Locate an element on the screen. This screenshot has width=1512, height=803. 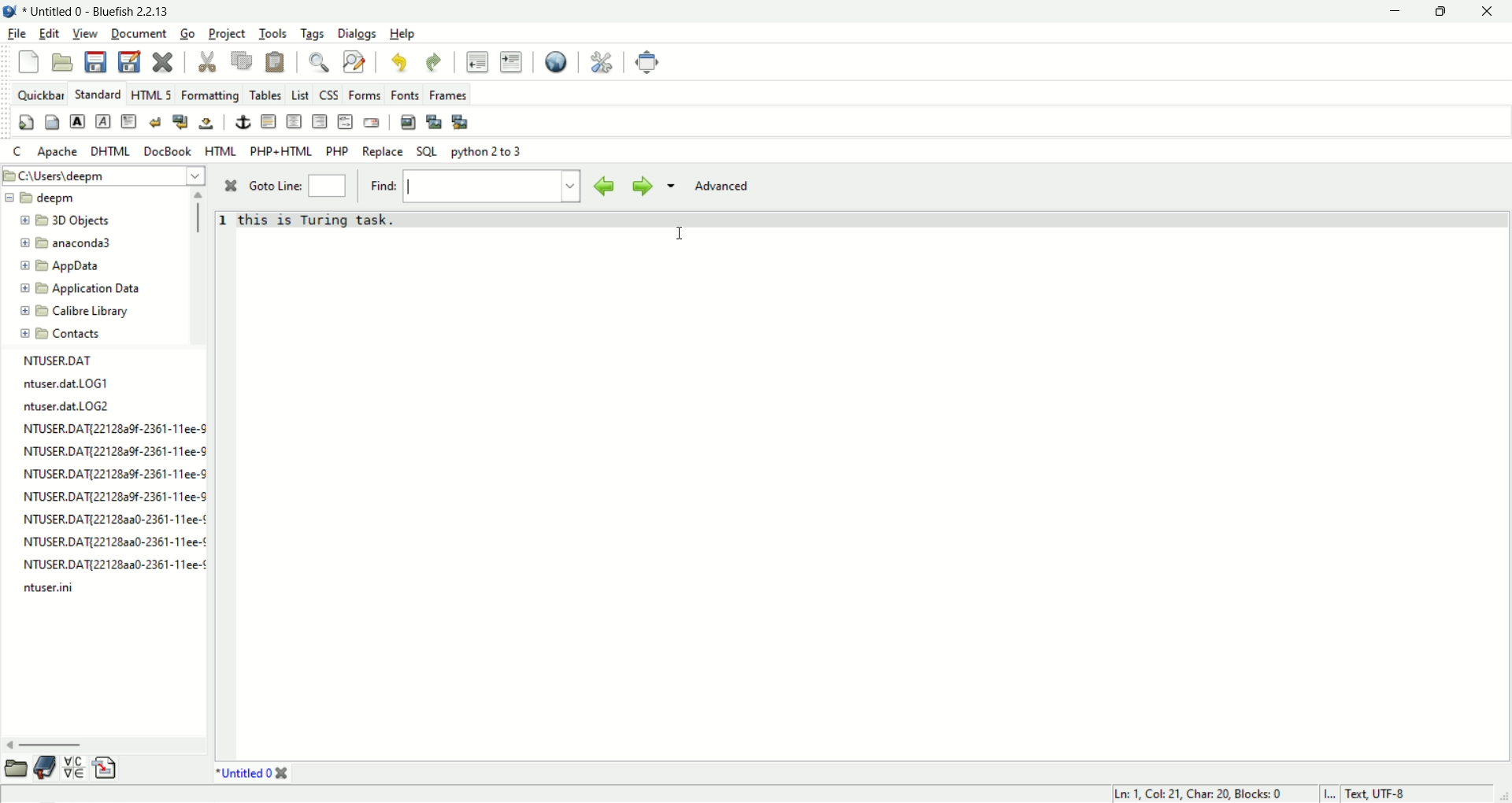
fullscreen is located at coordinates (648, 62).